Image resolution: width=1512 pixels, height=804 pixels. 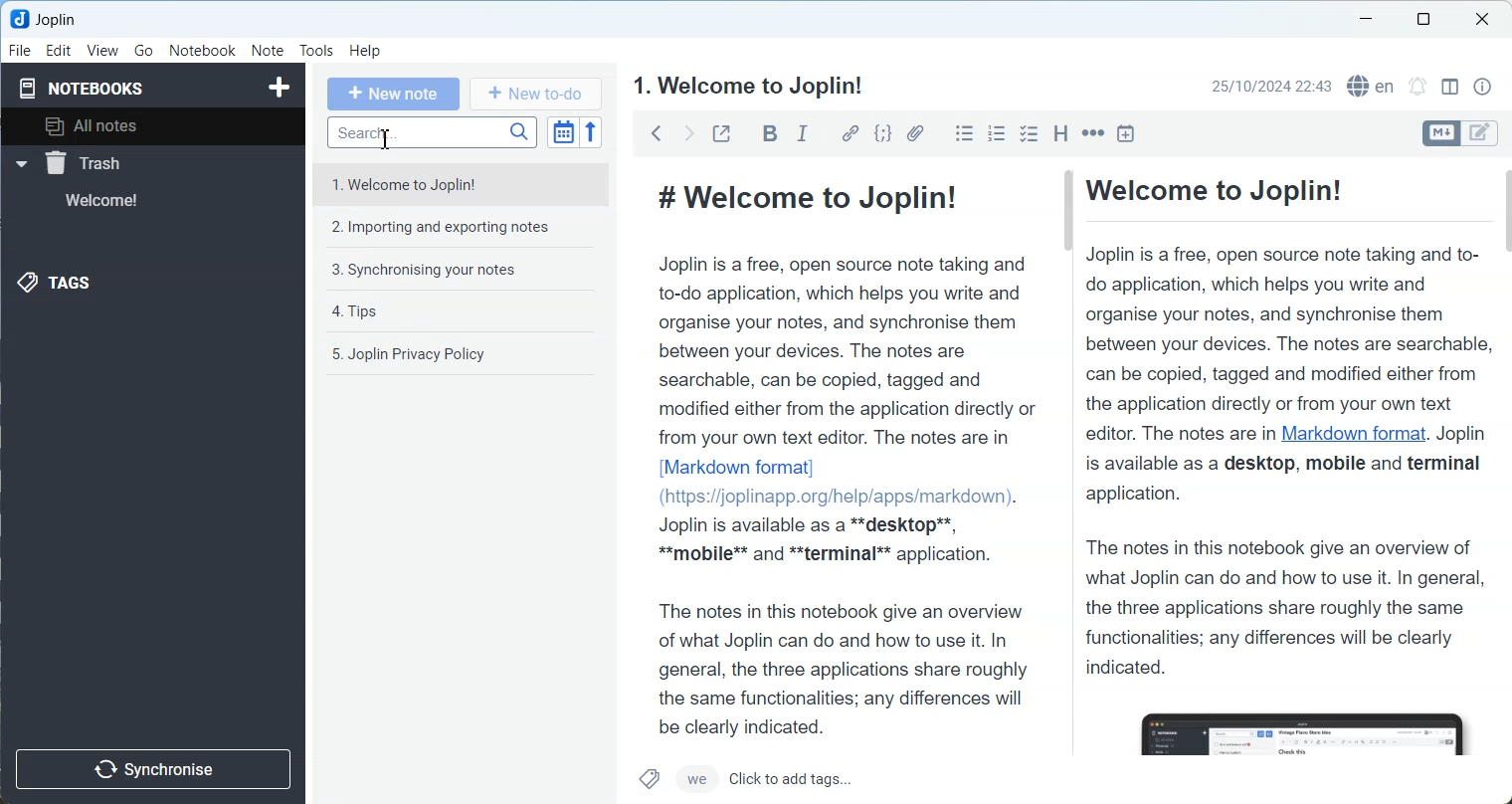 I want to click on View, so click(x=102, y=51).